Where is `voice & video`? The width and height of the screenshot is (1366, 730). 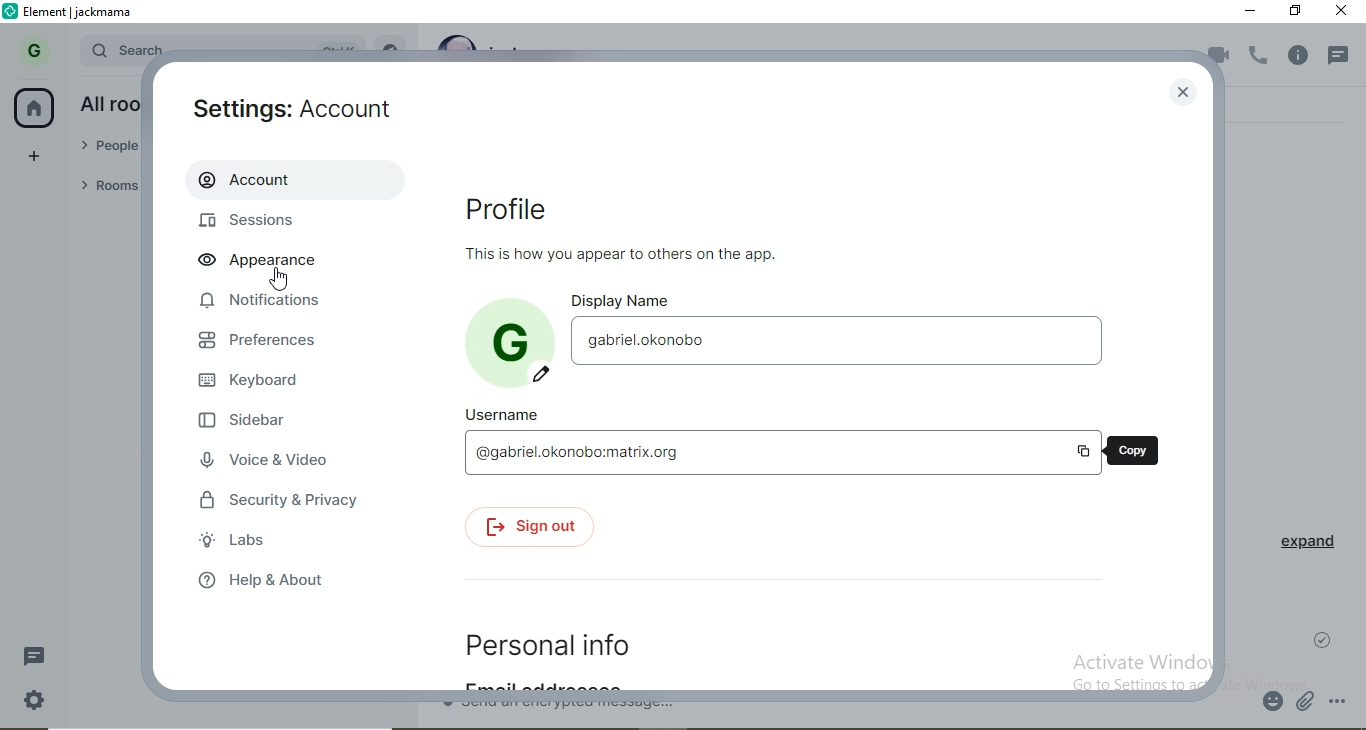
voice & video is located at coordinates (266, 461).